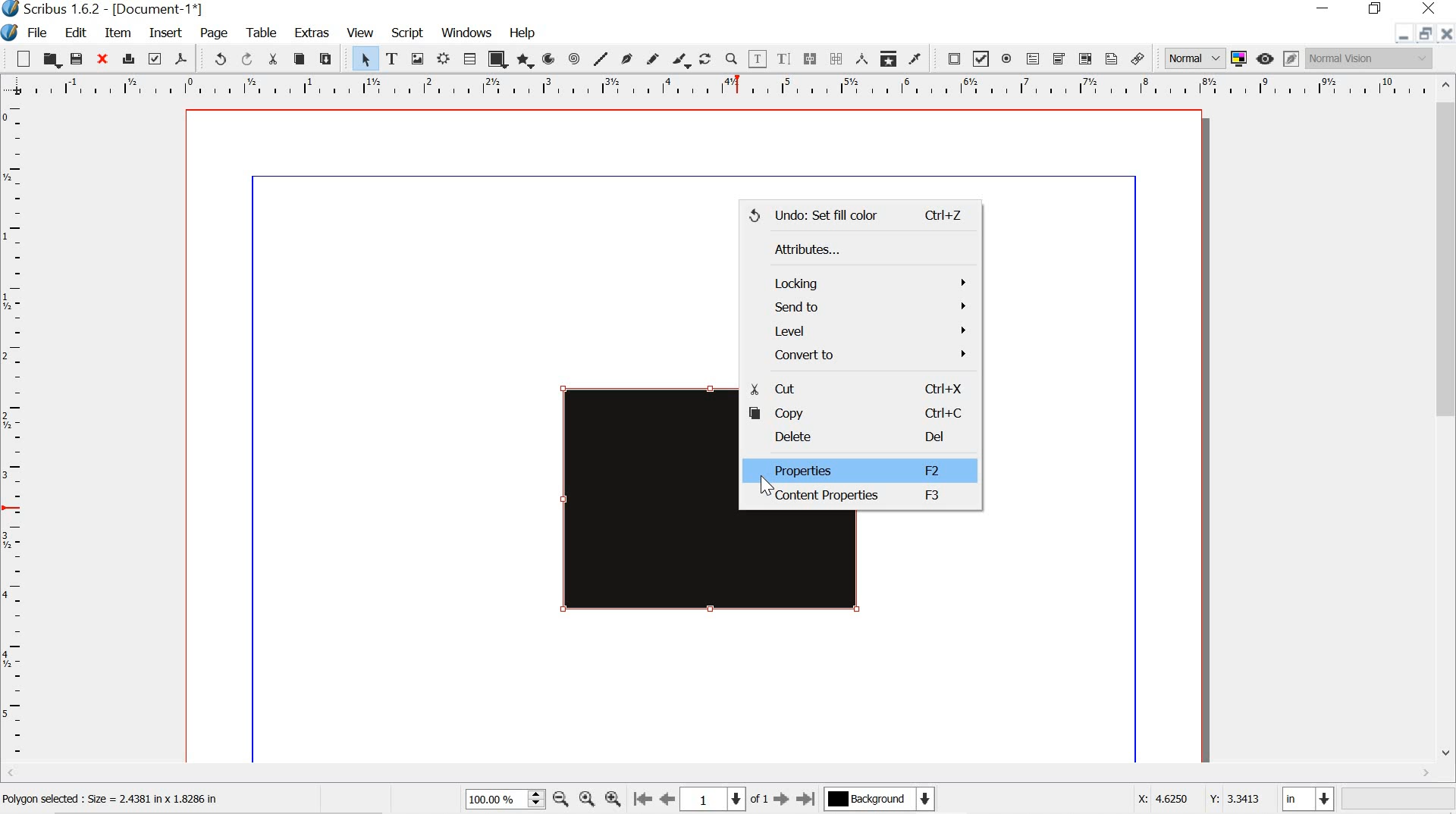 The image size is (1456, 814). Describe the element at coordinates (715, 86) in the screenshot. I see `ruler` at that location.